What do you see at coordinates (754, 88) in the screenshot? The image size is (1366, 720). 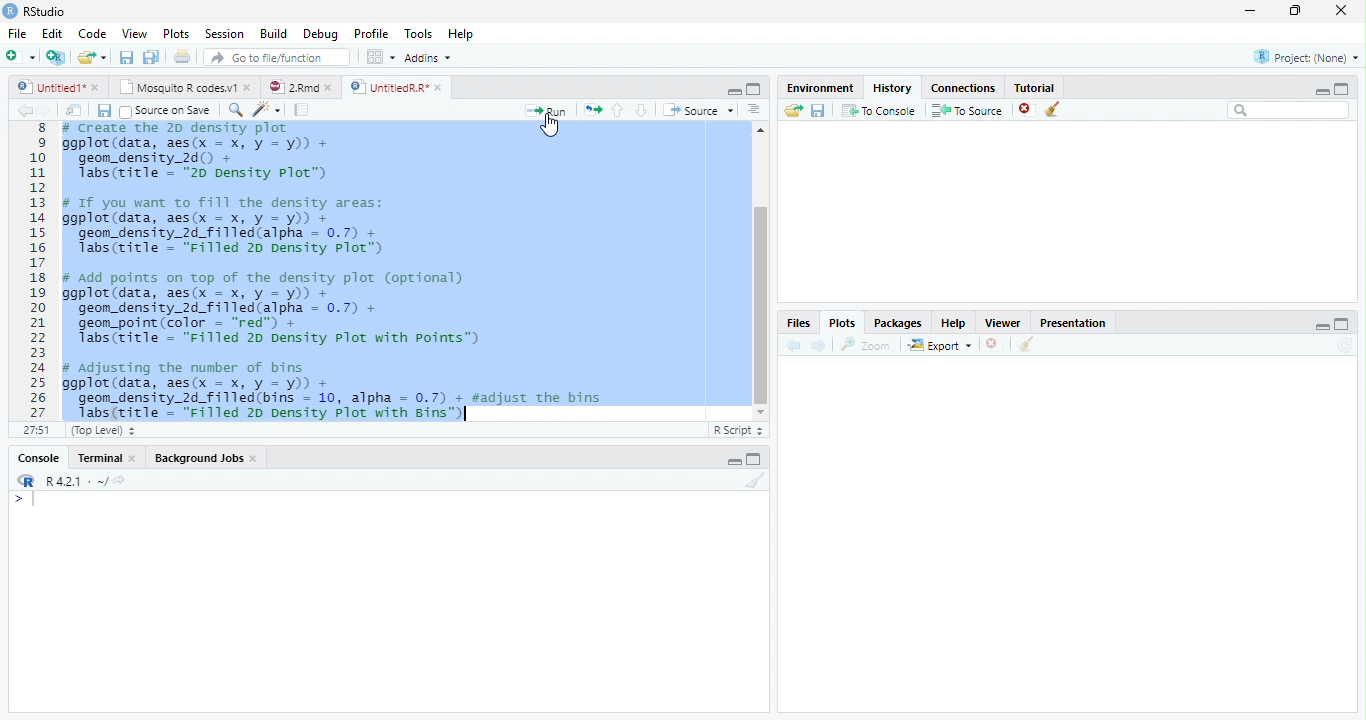 I see `maximize` at bounding box center [754, 88].